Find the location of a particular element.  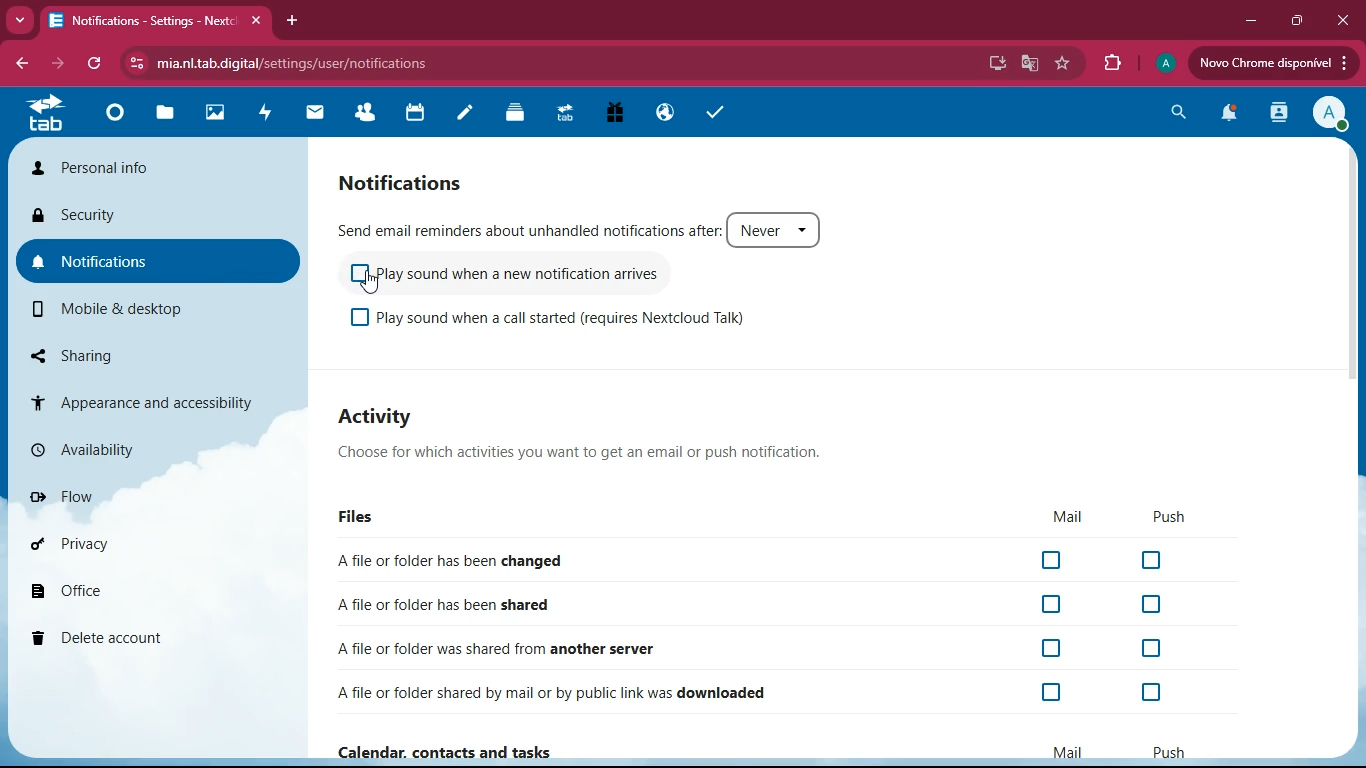

add tab is located at coordinates (289, 21).